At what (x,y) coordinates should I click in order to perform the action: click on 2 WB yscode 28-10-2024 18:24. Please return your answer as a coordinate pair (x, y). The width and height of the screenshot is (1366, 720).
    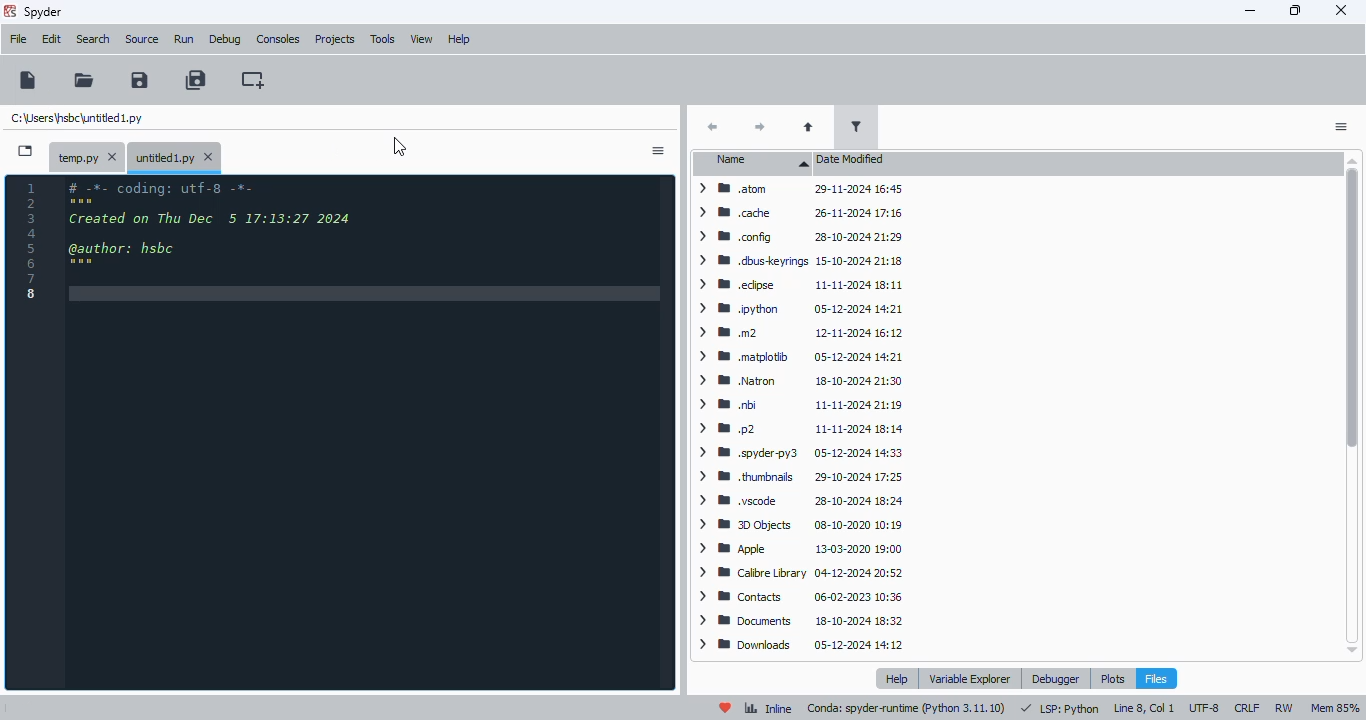
    Looking at the image, I should click on (798, 502).